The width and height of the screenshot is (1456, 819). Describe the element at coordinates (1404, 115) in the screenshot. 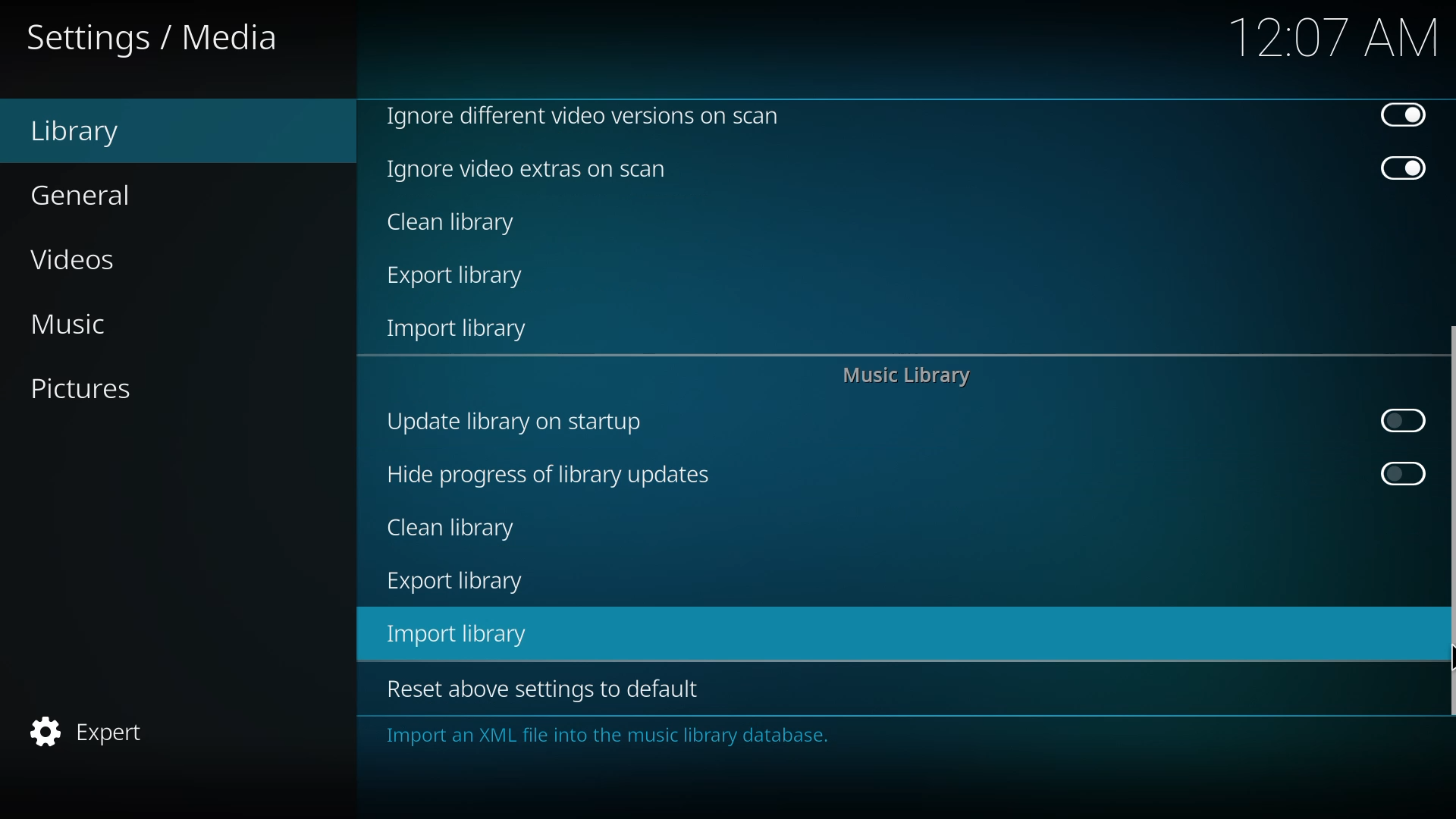

I see `disabled` at that location.